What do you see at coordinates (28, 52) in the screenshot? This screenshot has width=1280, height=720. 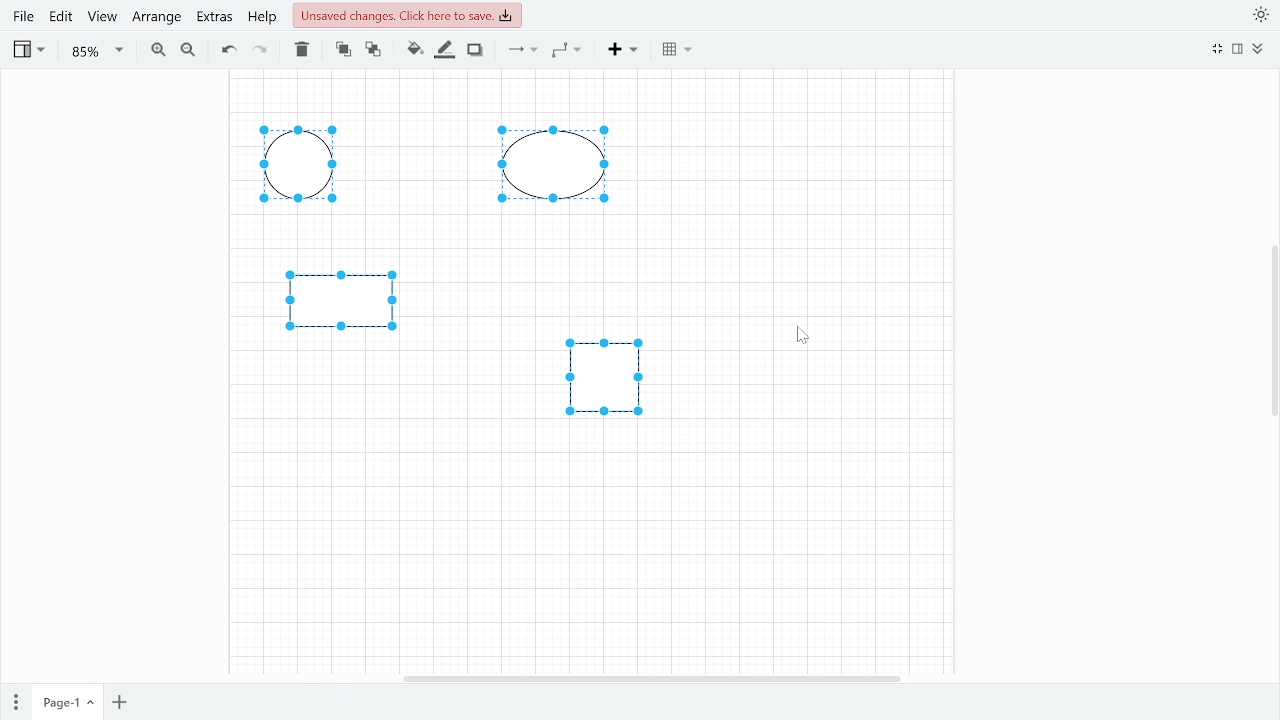 I see `View` at bounding box center [28, 52].